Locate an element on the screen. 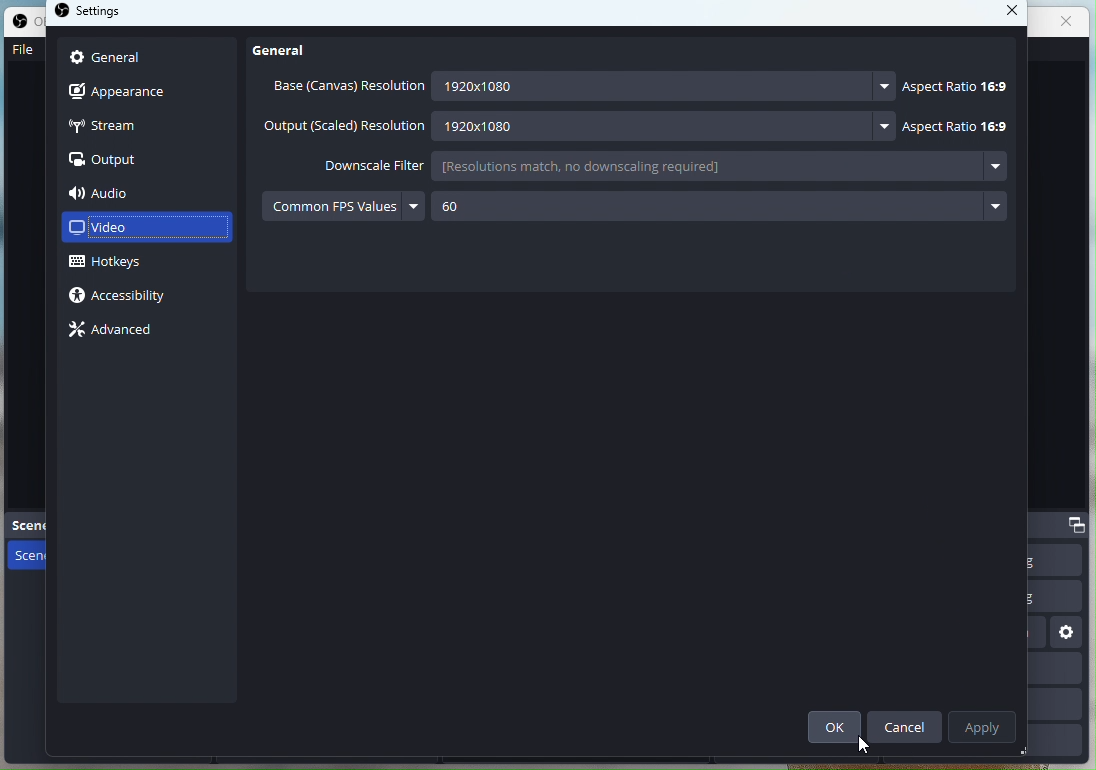 This screenshot has width=1096, height=770. 1920x1080 is located at coordinates (651, 86).